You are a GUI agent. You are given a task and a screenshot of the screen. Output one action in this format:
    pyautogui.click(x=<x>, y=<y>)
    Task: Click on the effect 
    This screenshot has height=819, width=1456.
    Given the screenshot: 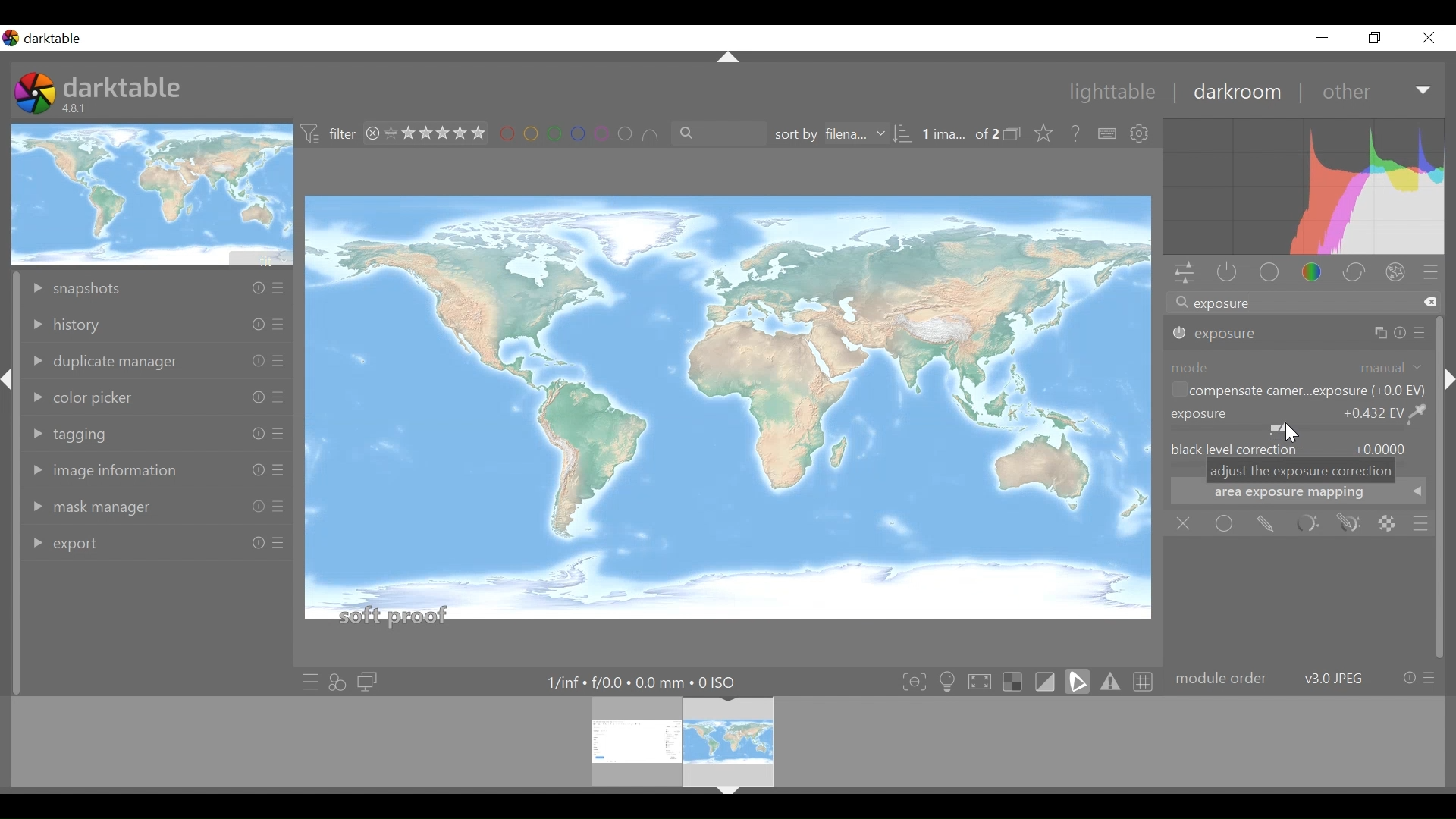 What is the action you would take?
    pyautogui.click(x=1399, y=275)
    